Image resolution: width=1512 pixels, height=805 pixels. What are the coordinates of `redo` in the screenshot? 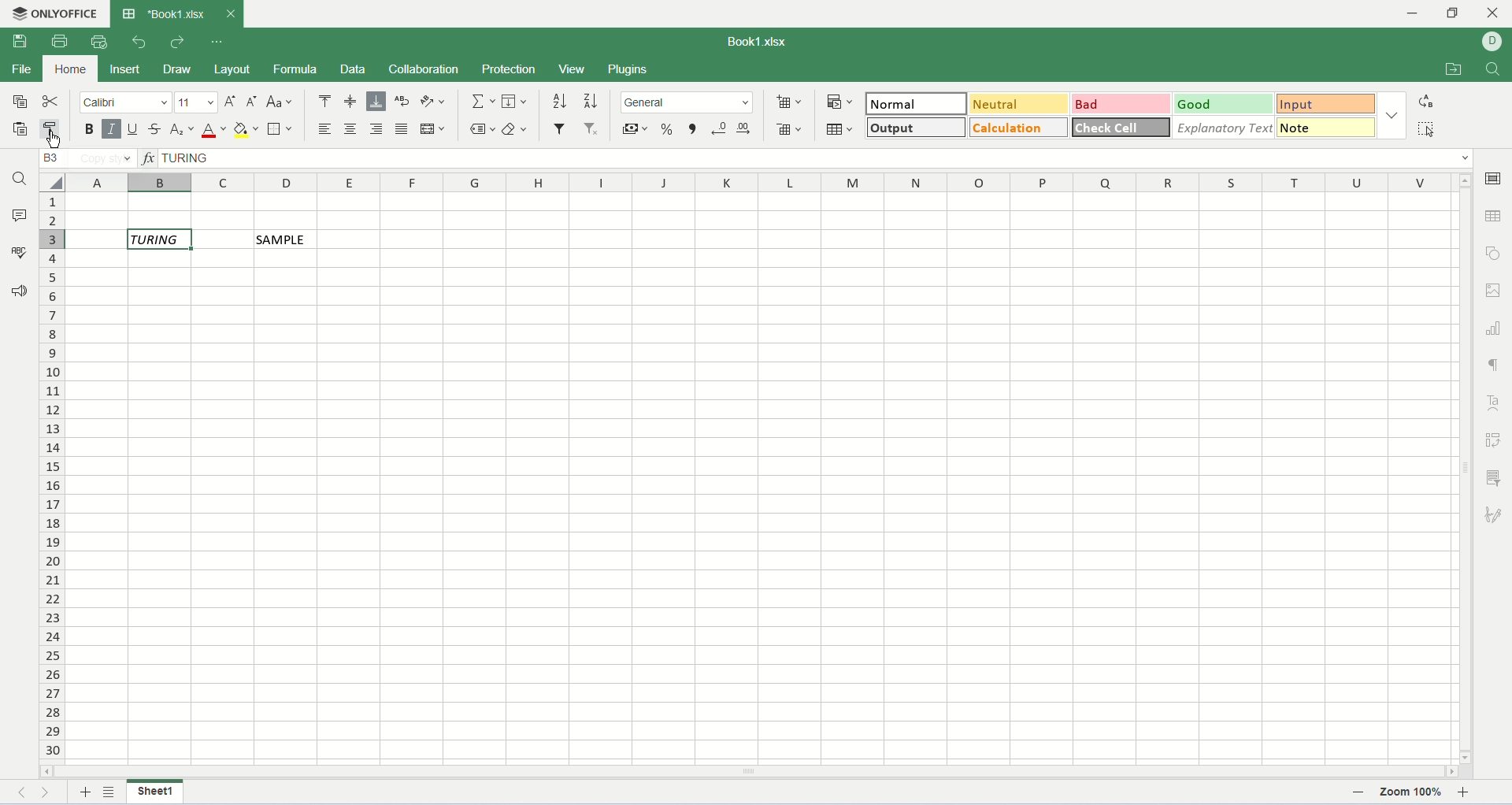 It's located at (176, 43).